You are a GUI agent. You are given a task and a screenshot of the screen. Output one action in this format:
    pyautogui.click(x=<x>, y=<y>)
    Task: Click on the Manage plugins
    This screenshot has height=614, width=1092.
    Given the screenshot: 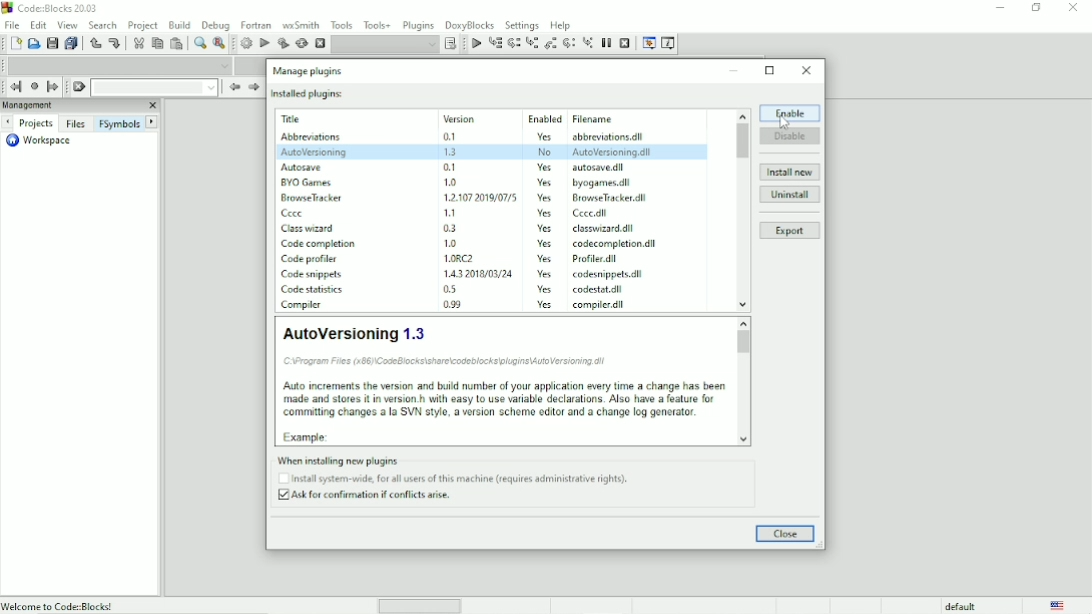 What is the action you would take?
    pyautogui.click(x=310, y=71)
    